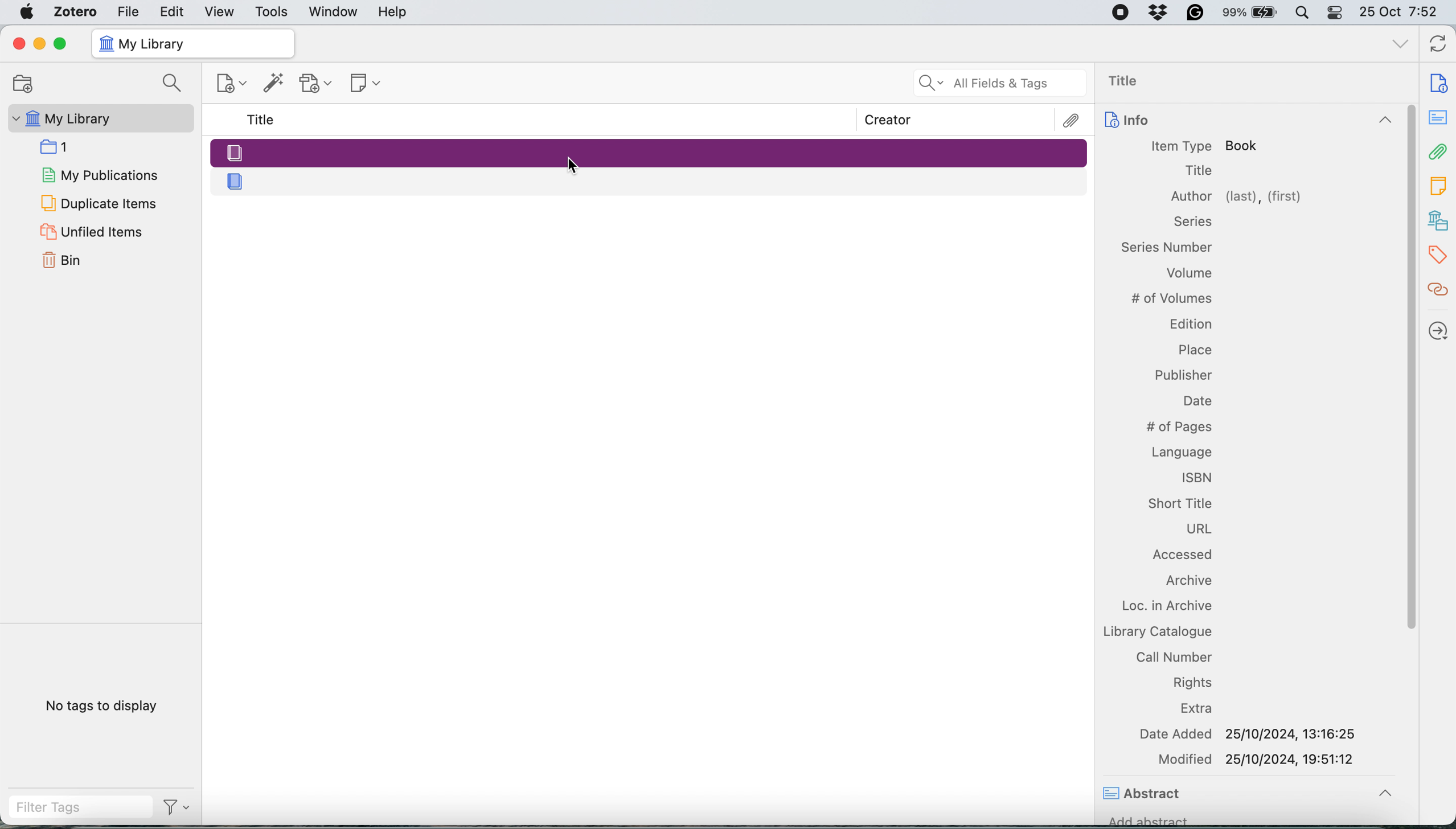 The height and width of the screenshot is (829, 1456). Describe the element at coordinates (1439, 183) in the screenshot. I see `Notes` at that location.